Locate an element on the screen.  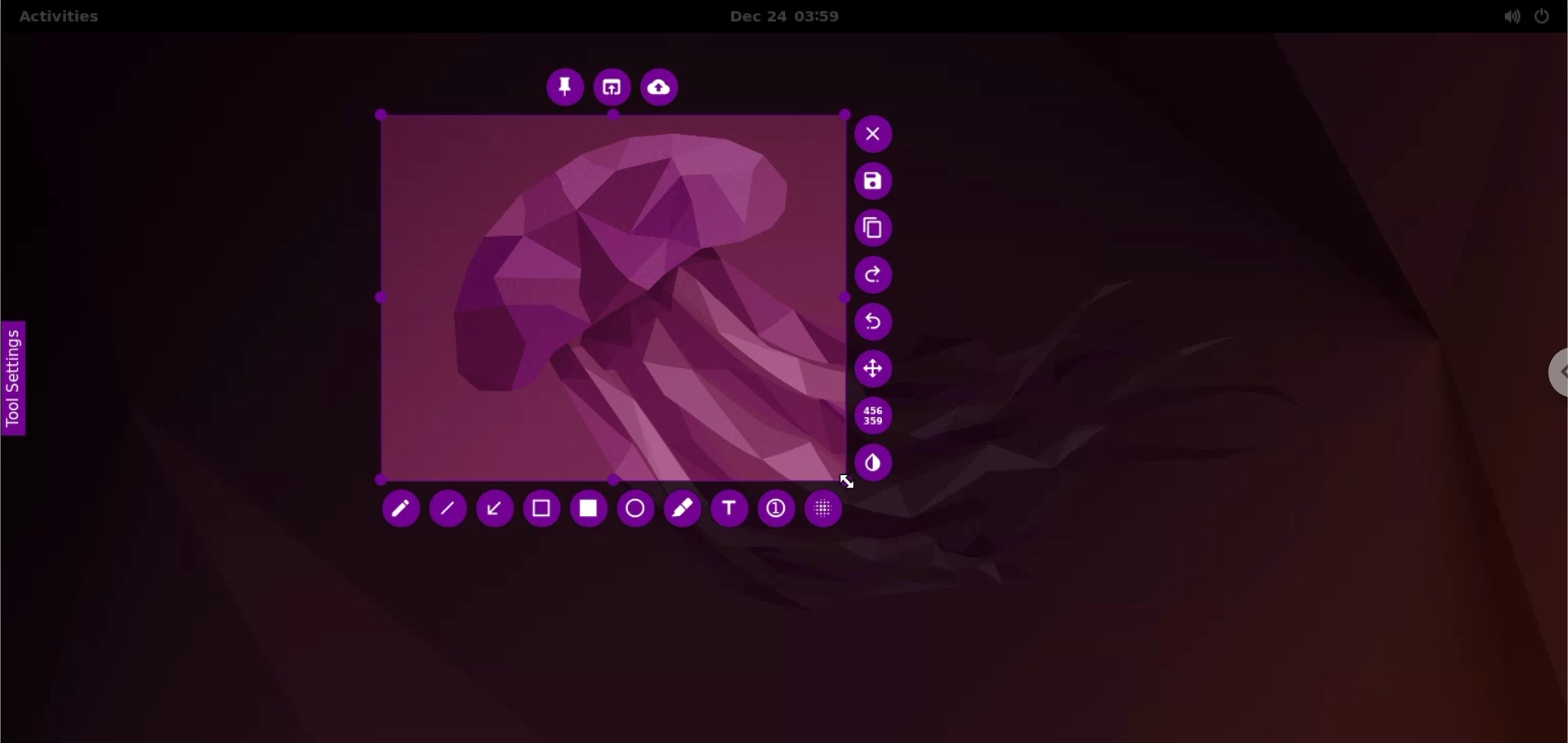
undo  is located at coordinates (884, 323).